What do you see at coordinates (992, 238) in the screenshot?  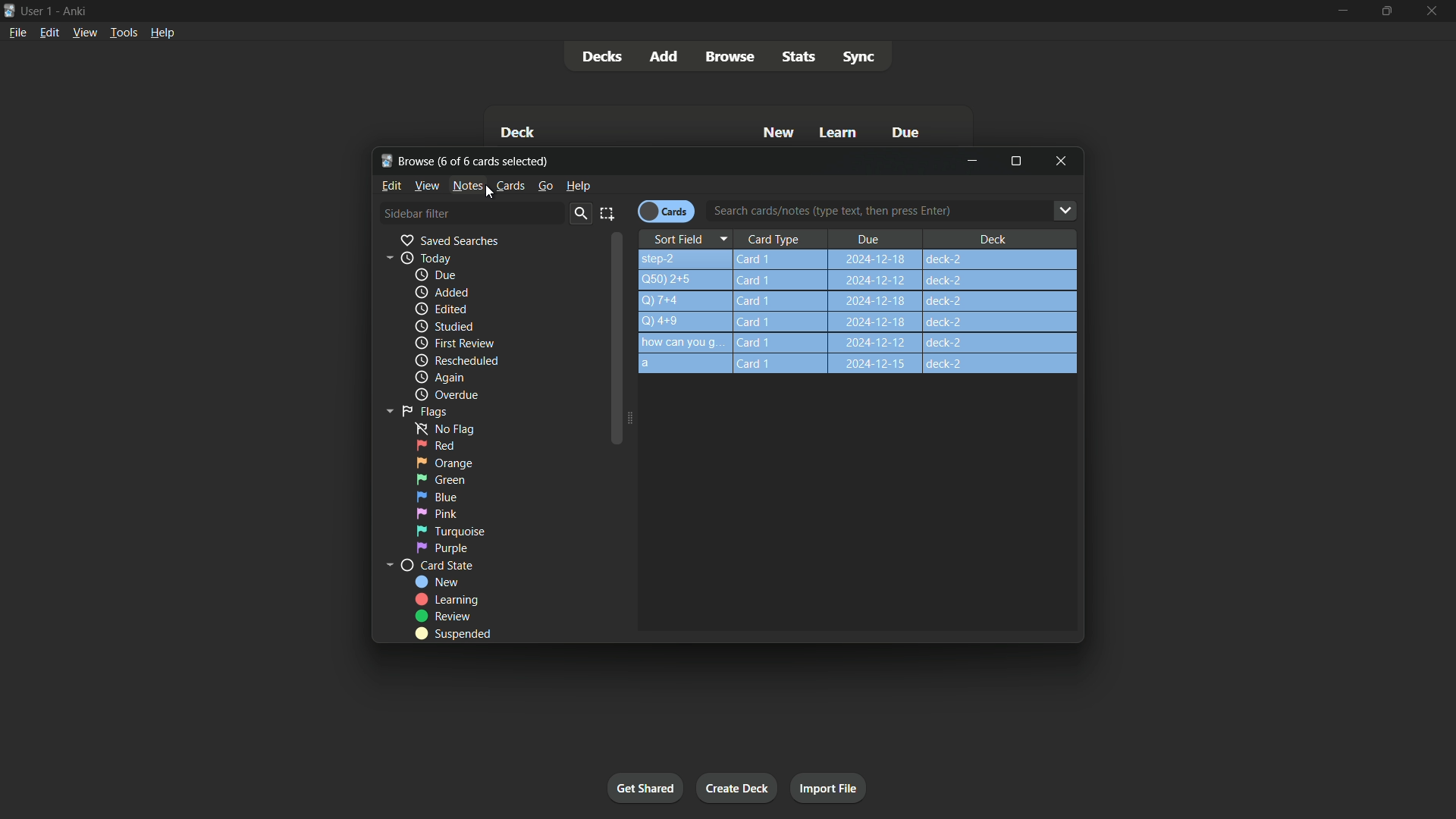 I see `Deck` at bounding box center [992, 238].